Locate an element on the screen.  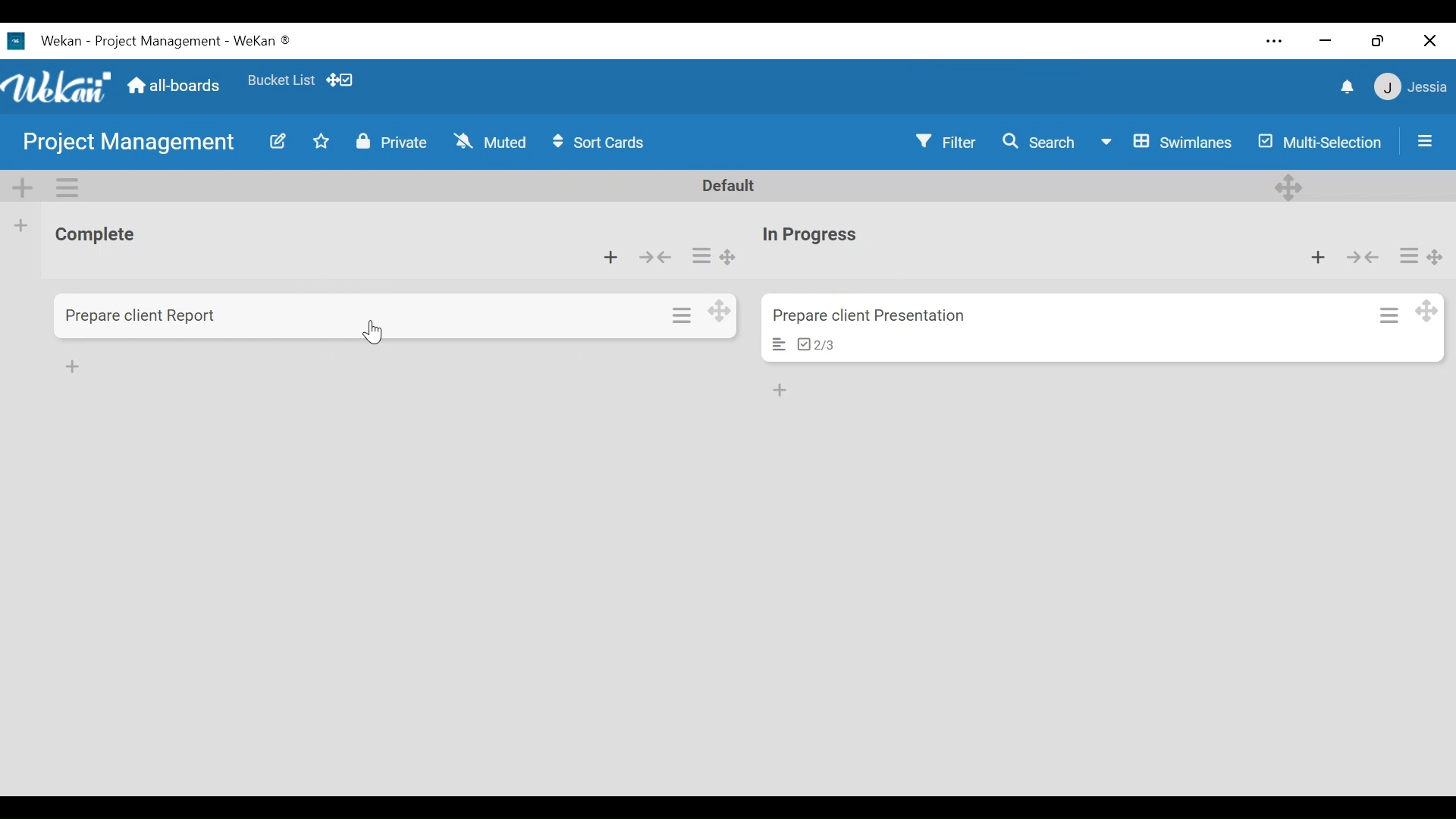
Wekan is located at coordinates (56, 86).